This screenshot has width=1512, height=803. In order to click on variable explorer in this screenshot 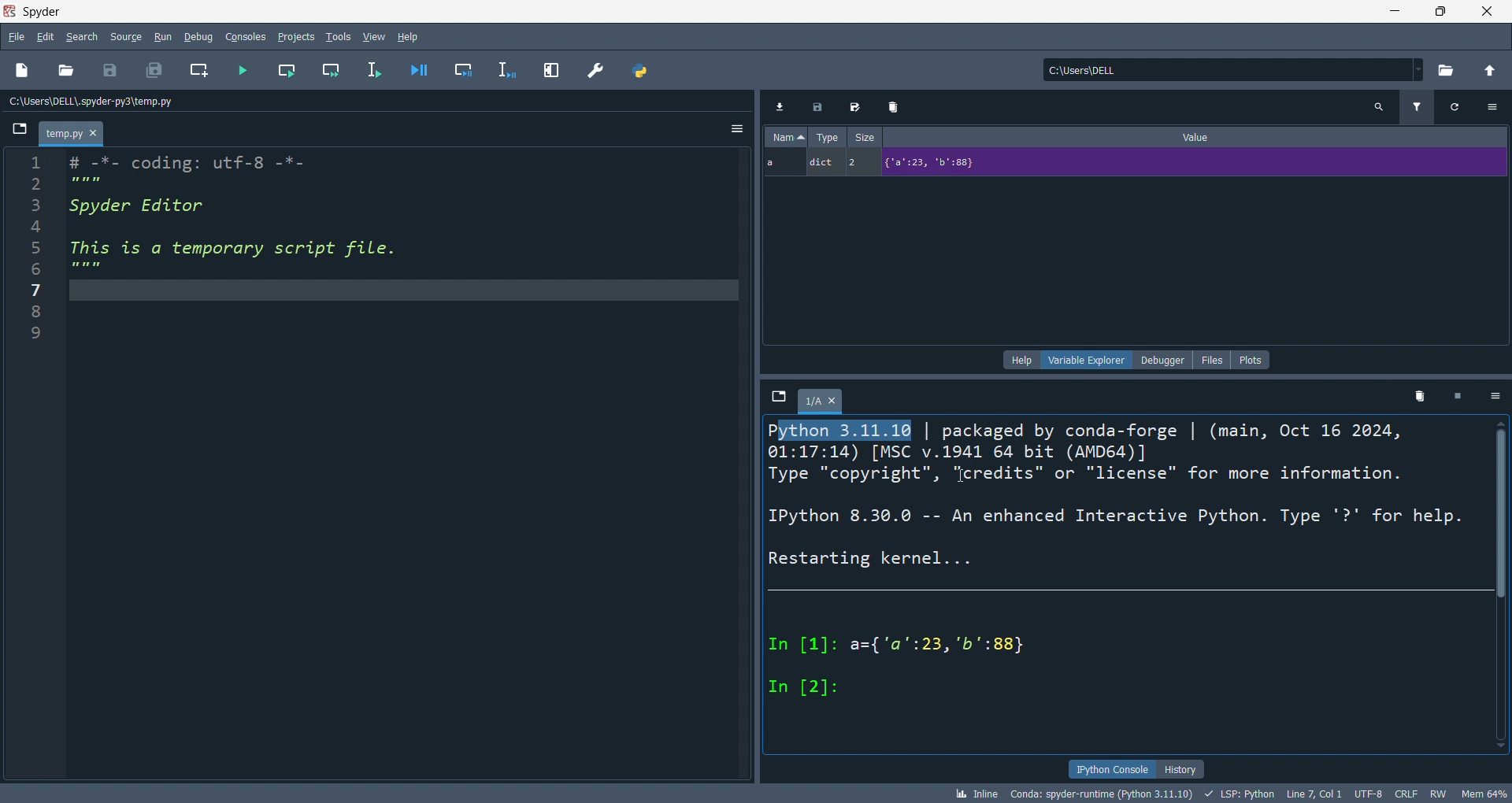, I will do `click(1085, 361)`.